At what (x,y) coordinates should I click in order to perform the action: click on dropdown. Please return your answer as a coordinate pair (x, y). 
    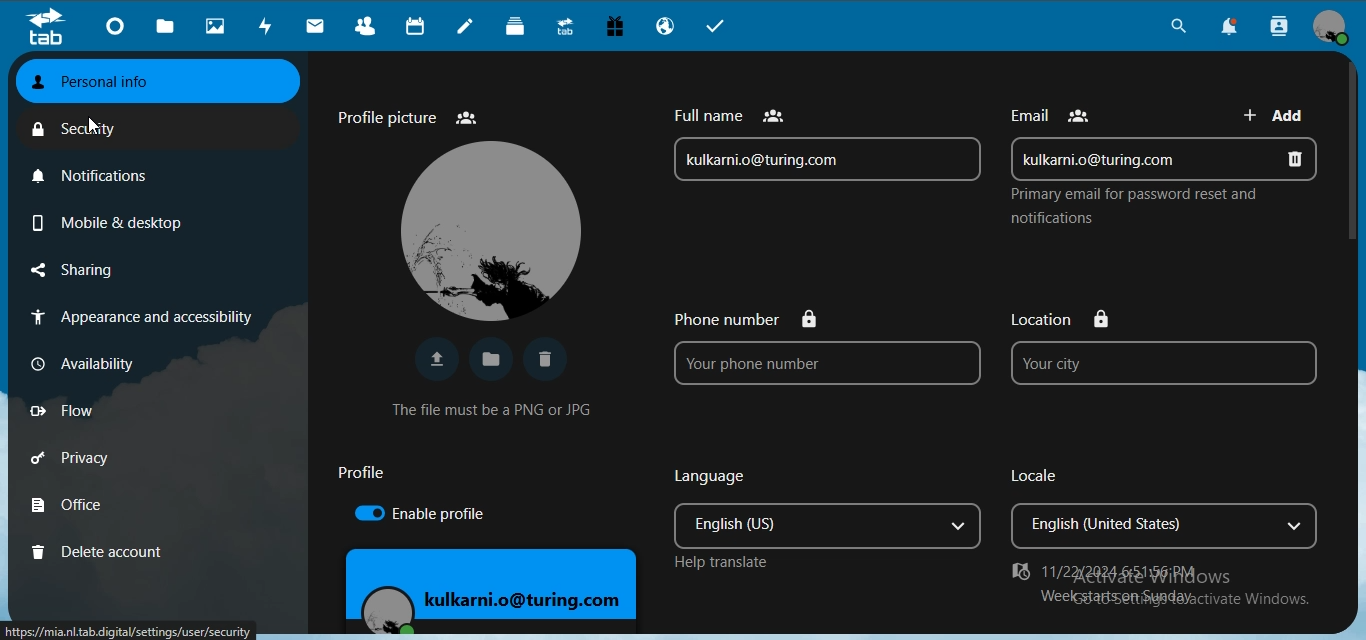
    Looking at the image, I should click on (957, 526).